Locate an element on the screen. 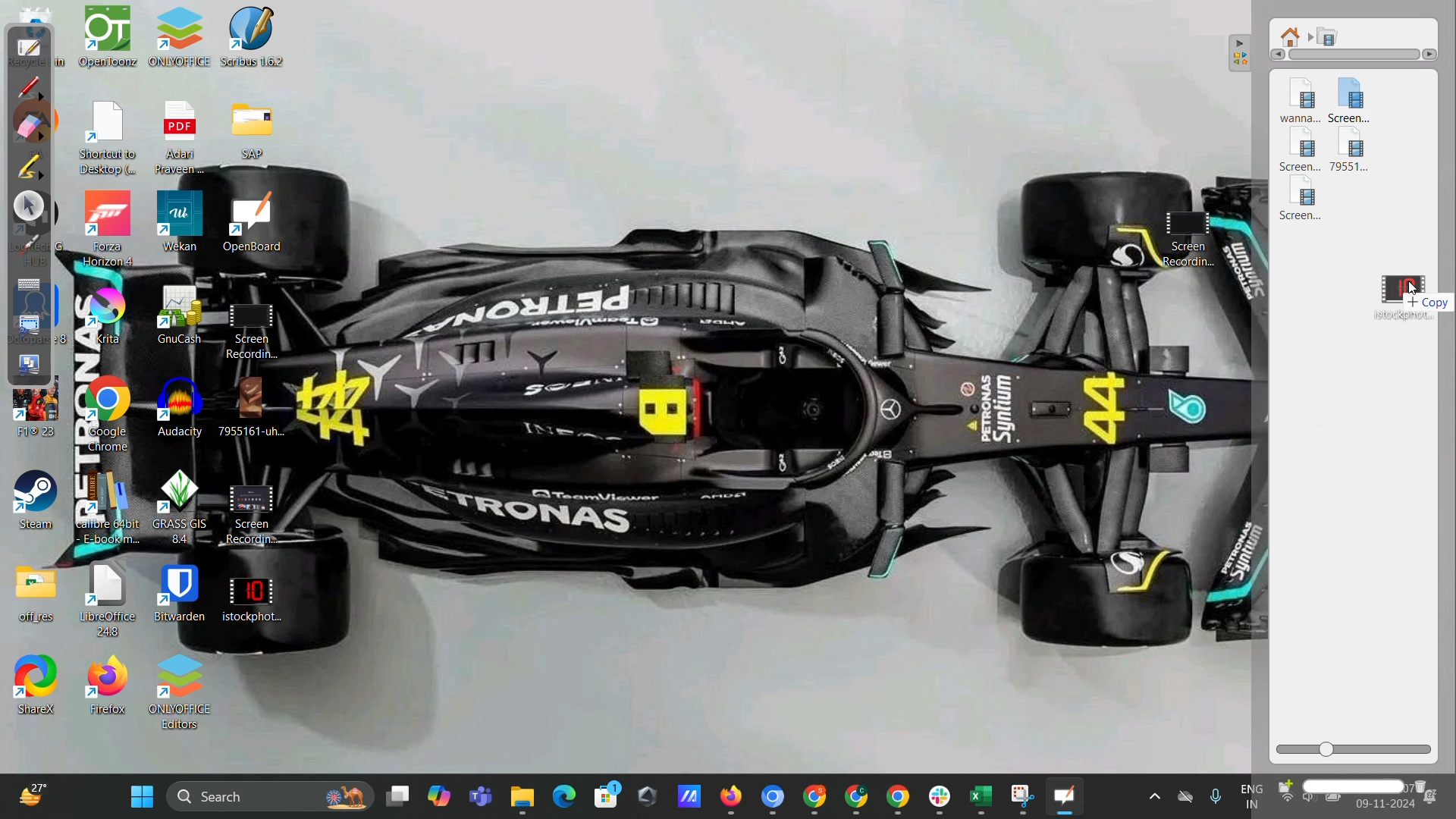 This screenshot has height=819, width=1456. Minimized snipping tool is located at coordinates (1022, 795).